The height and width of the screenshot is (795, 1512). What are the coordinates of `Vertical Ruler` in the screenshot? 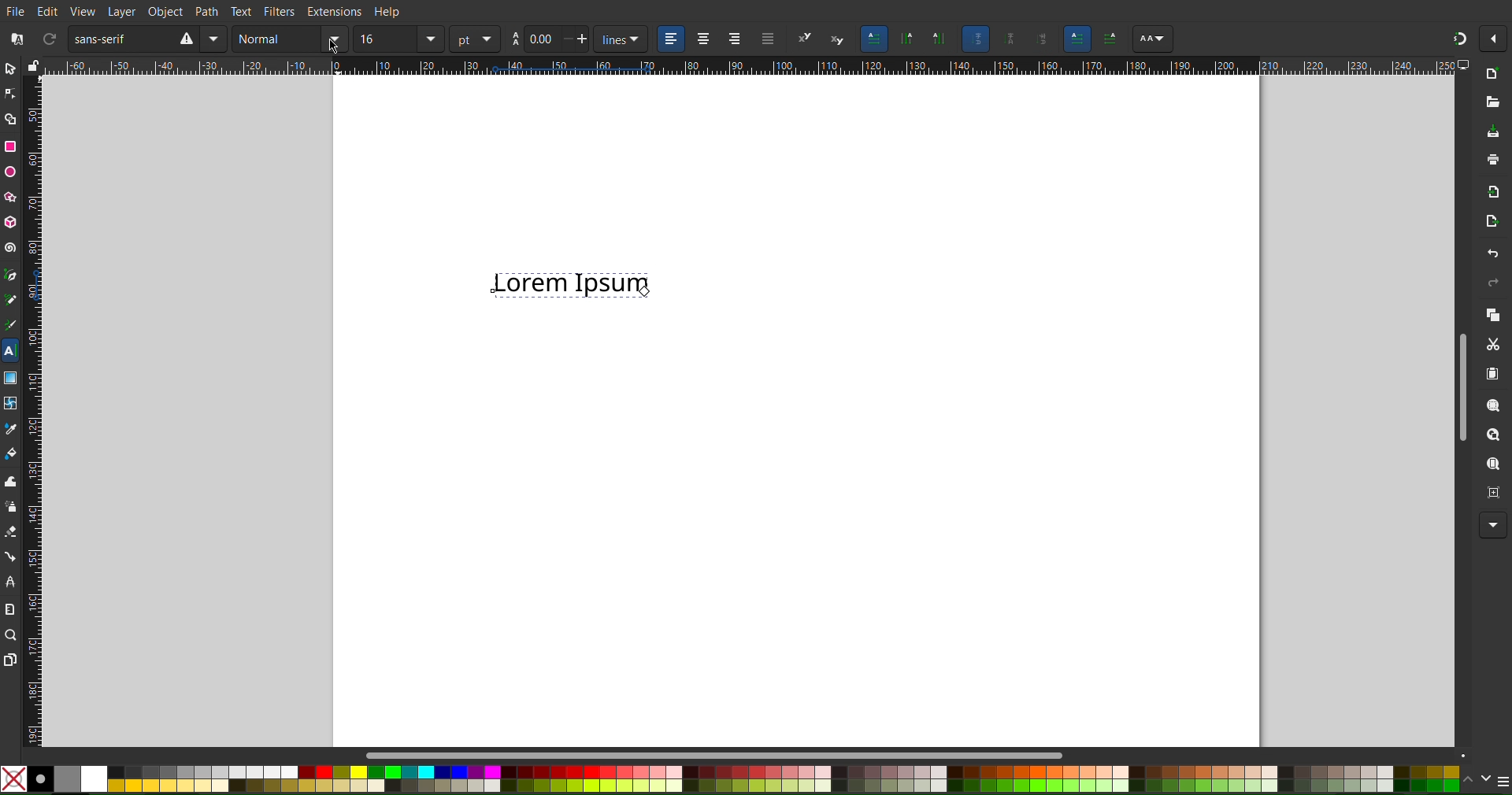 It's located at (31, 409).